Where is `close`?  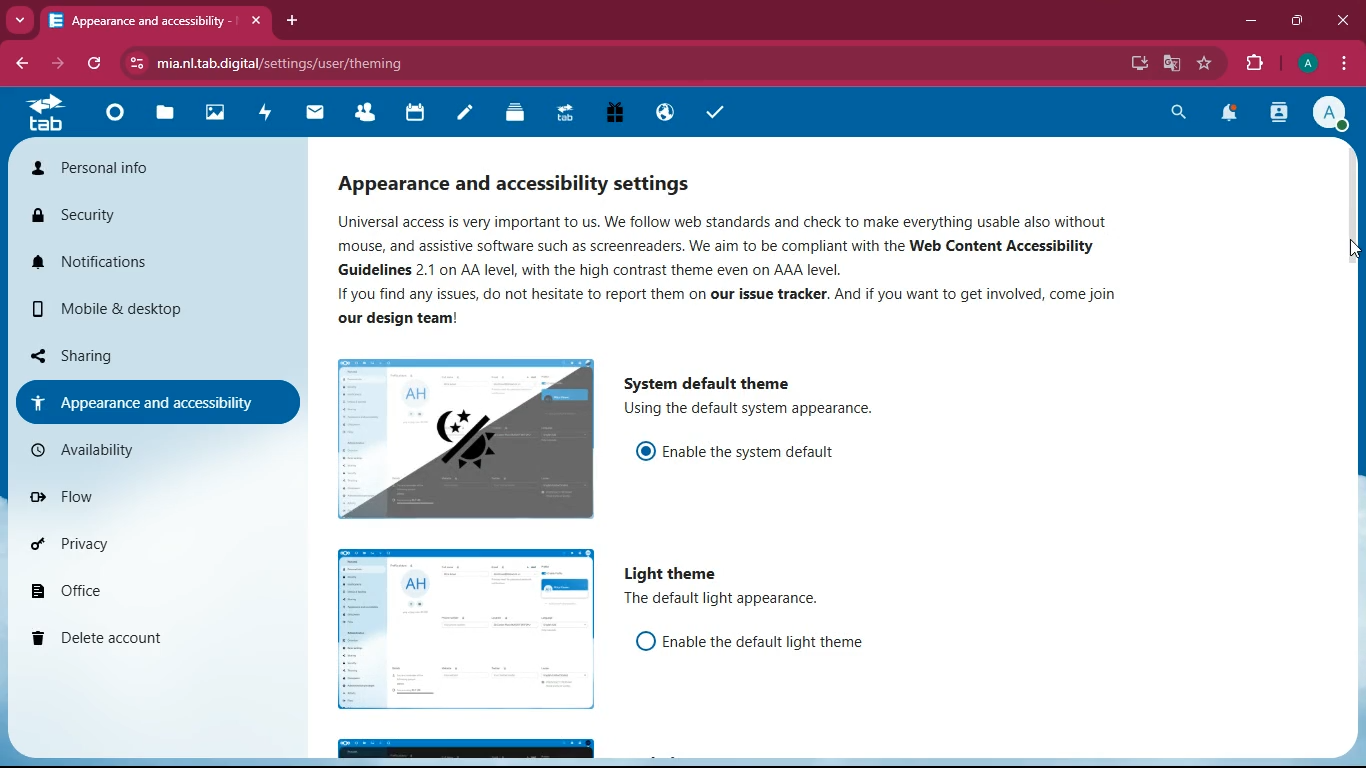
close is located at coordinates (1344, 20).